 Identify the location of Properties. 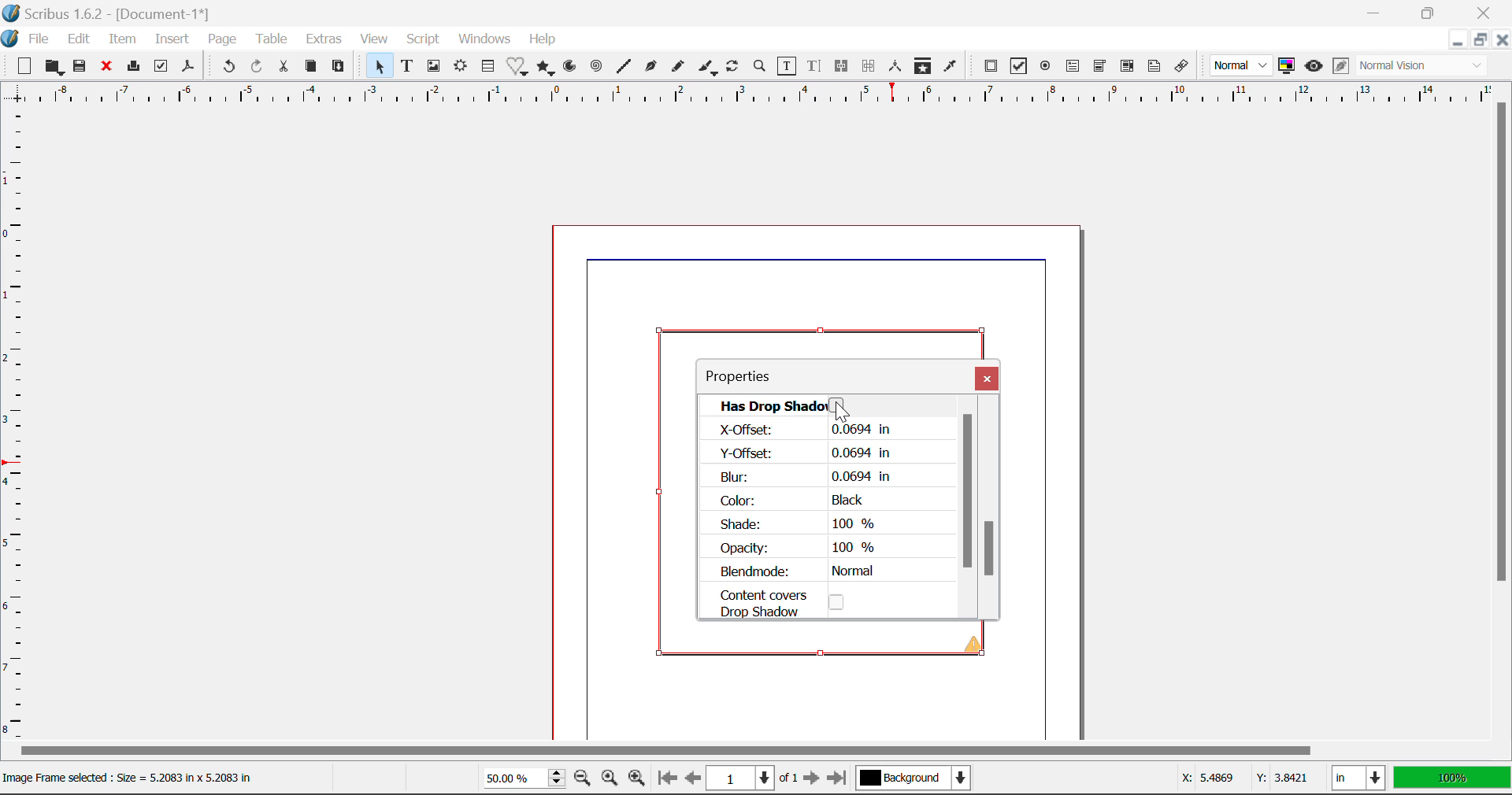
(756, 377).